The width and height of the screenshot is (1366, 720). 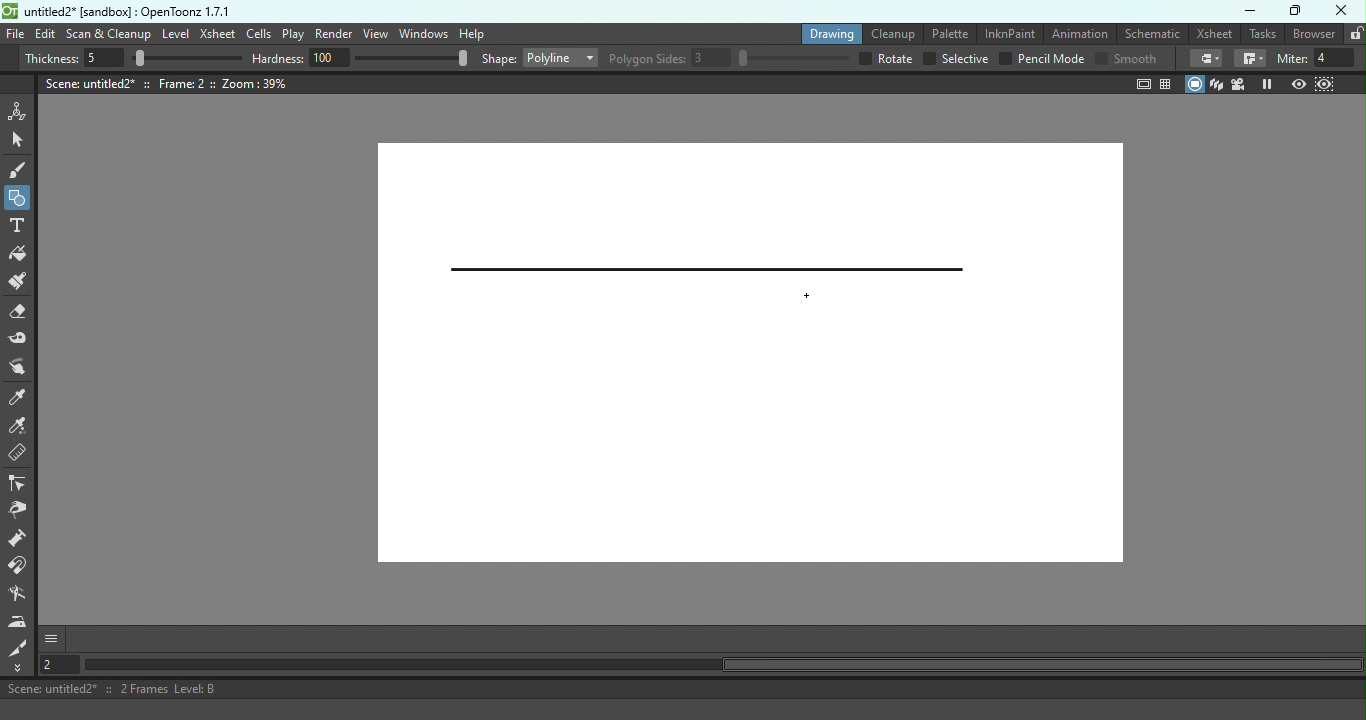 What do you see at coordinates (46, 35) in the screenshot?
I see `Edit` at bounding box center [46, 35].